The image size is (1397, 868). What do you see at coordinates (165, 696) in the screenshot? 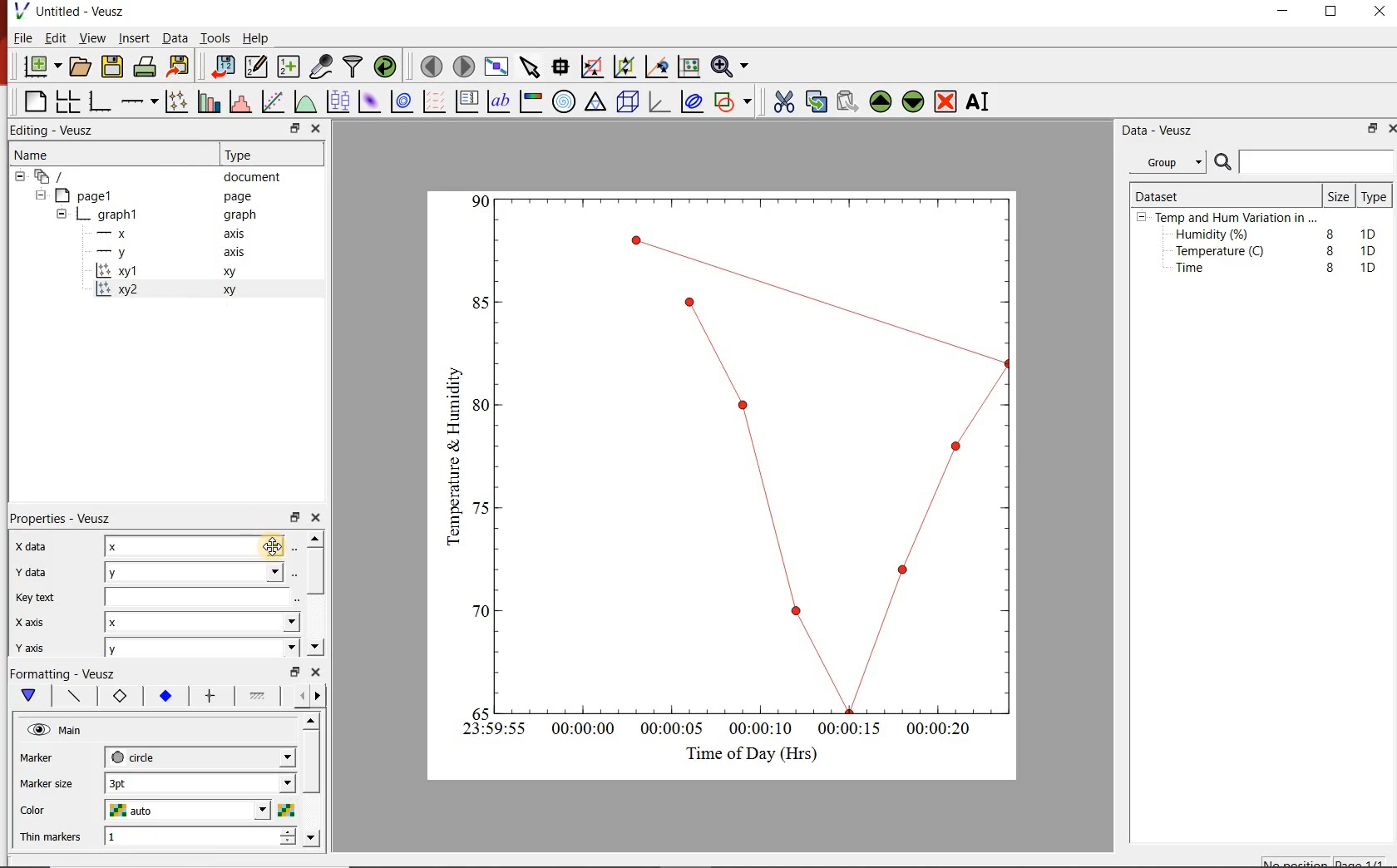
I see `marker fill` at bounding box center [165, 696].